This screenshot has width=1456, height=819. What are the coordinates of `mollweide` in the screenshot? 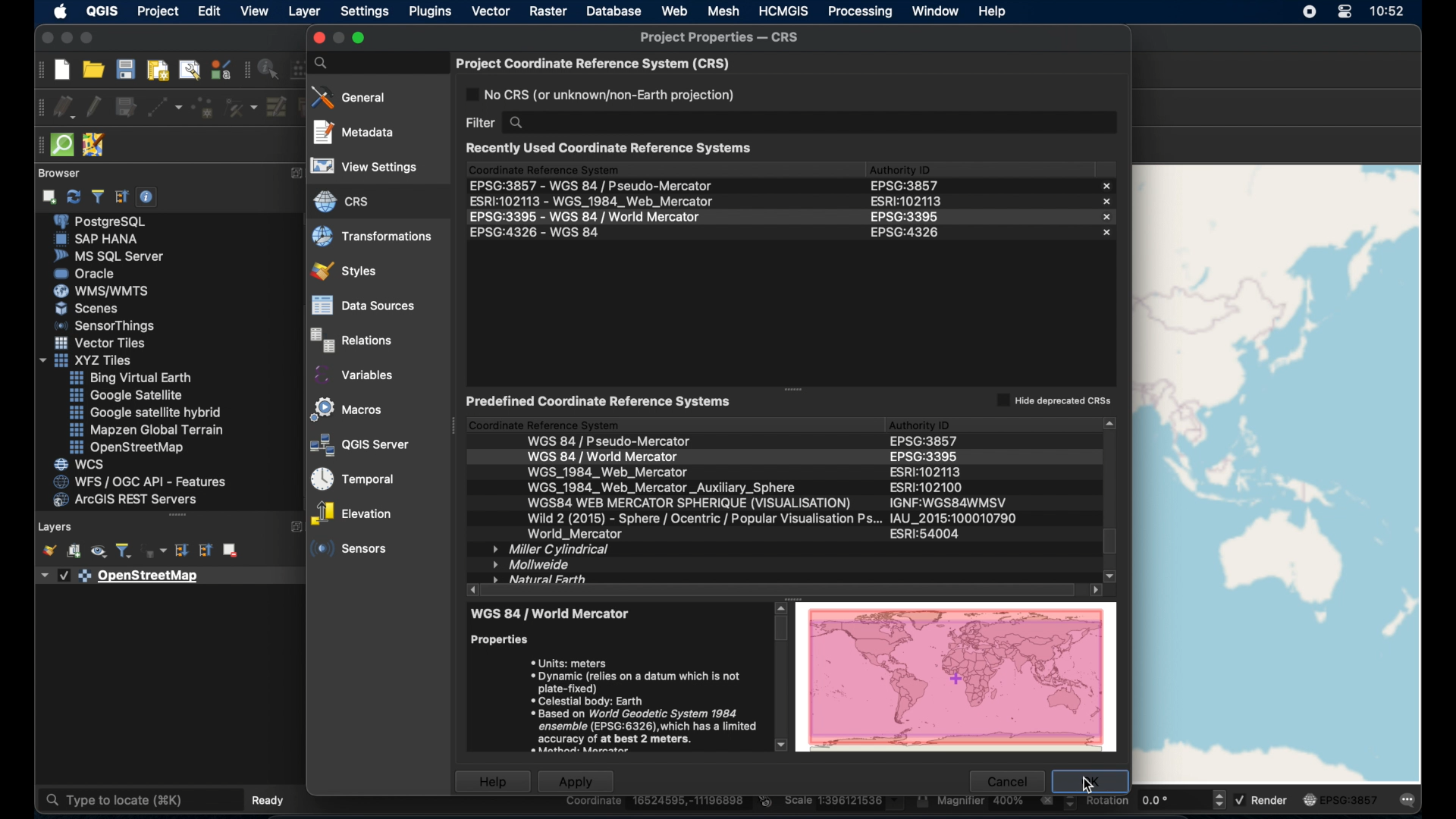 It's located at (534, 563).